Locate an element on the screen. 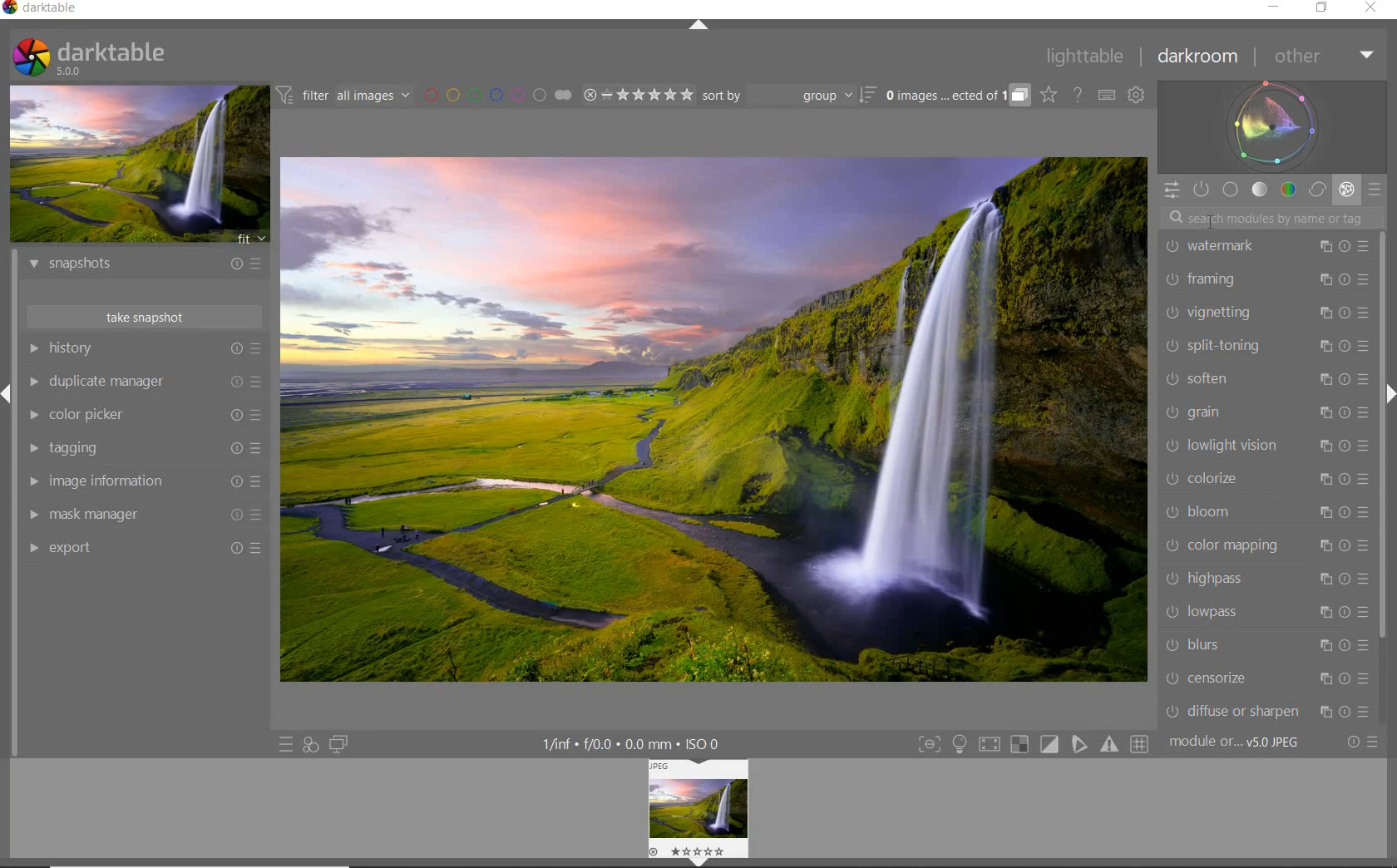  CLICK TO CHANGE THE OVERLAYS SHOWN ON THUMBNAILS is located at coordinates (1049, 95).